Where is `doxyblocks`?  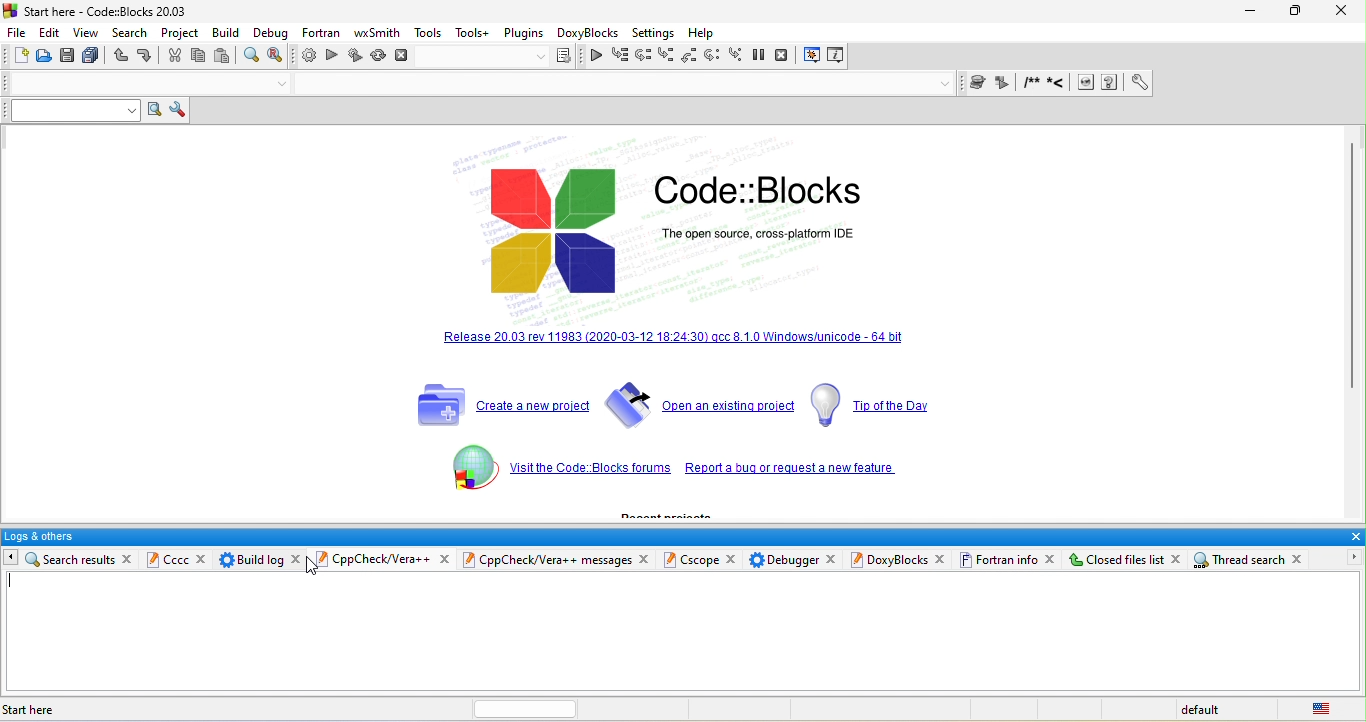
doxyblocks is located at coordinates (588, 32).